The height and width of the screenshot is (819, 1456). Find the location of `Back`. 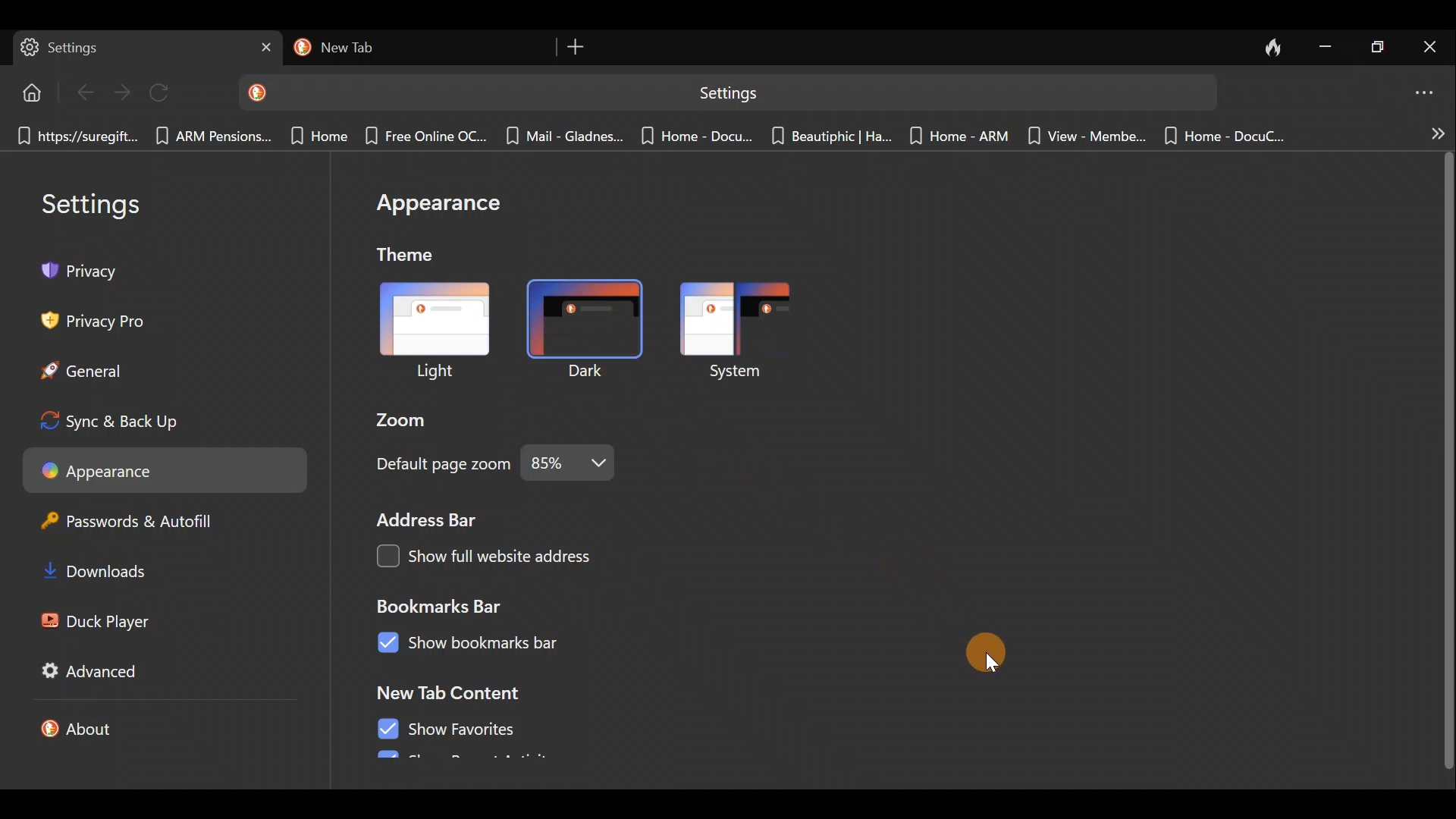

Back is located at coordinates (85, 91).